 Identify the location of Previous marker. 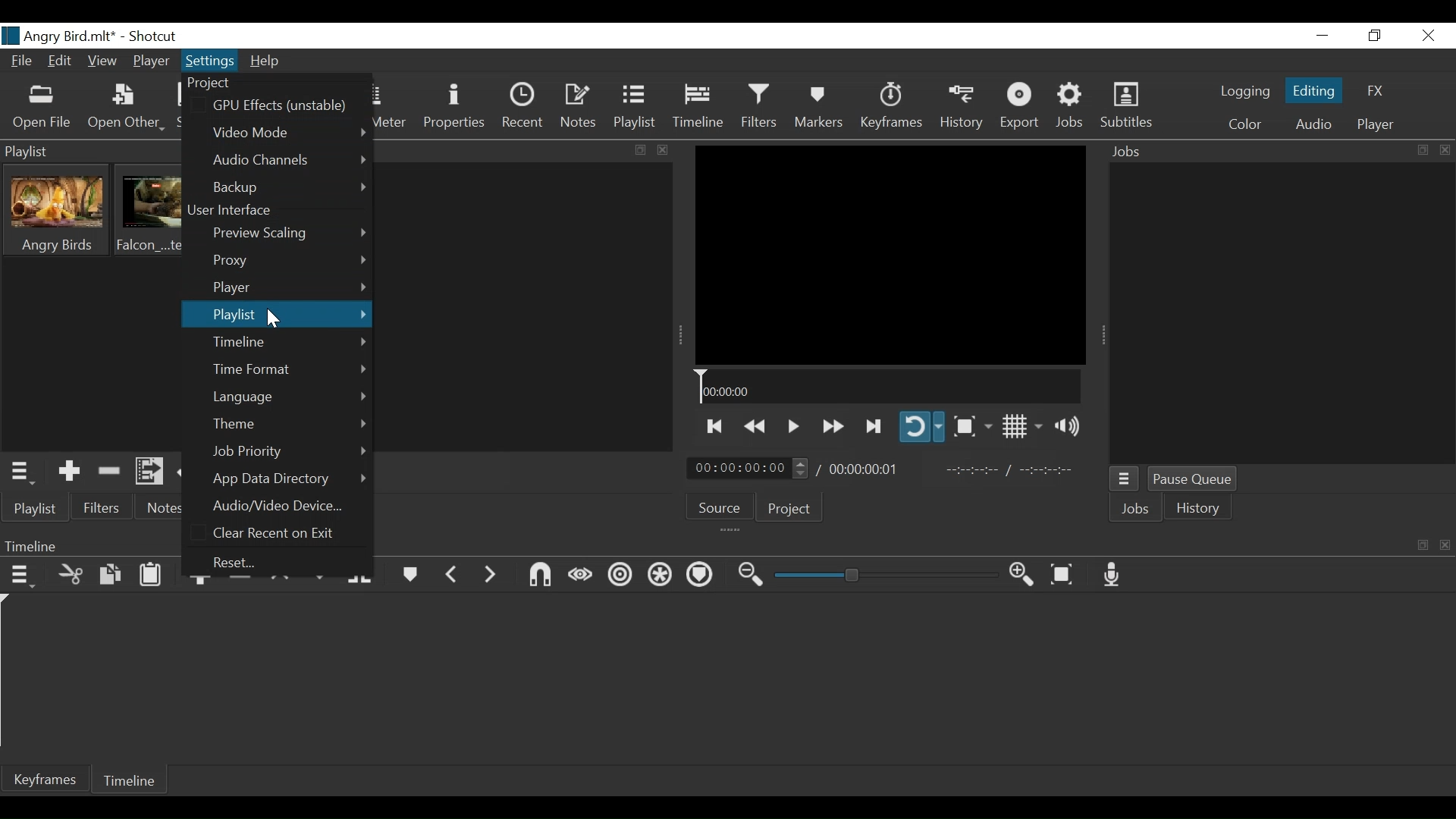
(452, 578).